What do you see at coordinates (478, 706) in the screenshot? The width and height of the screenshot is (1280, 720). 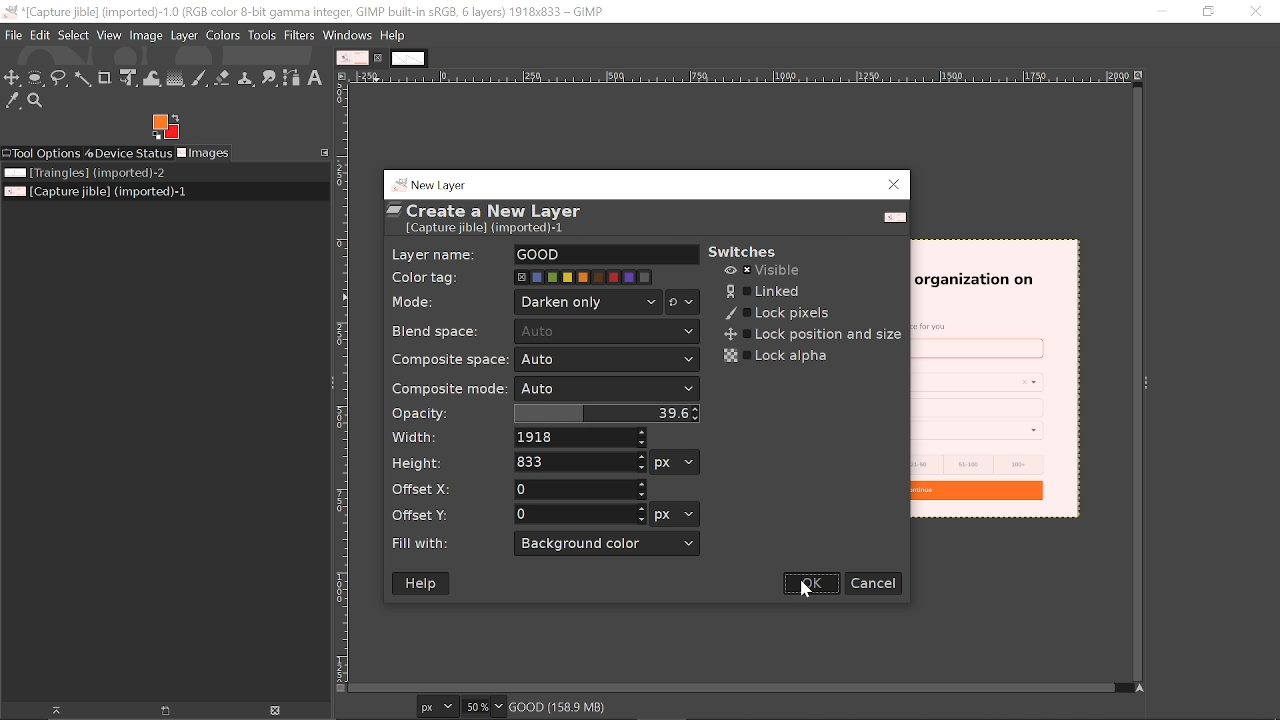 I see `Current zoom` at bounding box center [478, 706].